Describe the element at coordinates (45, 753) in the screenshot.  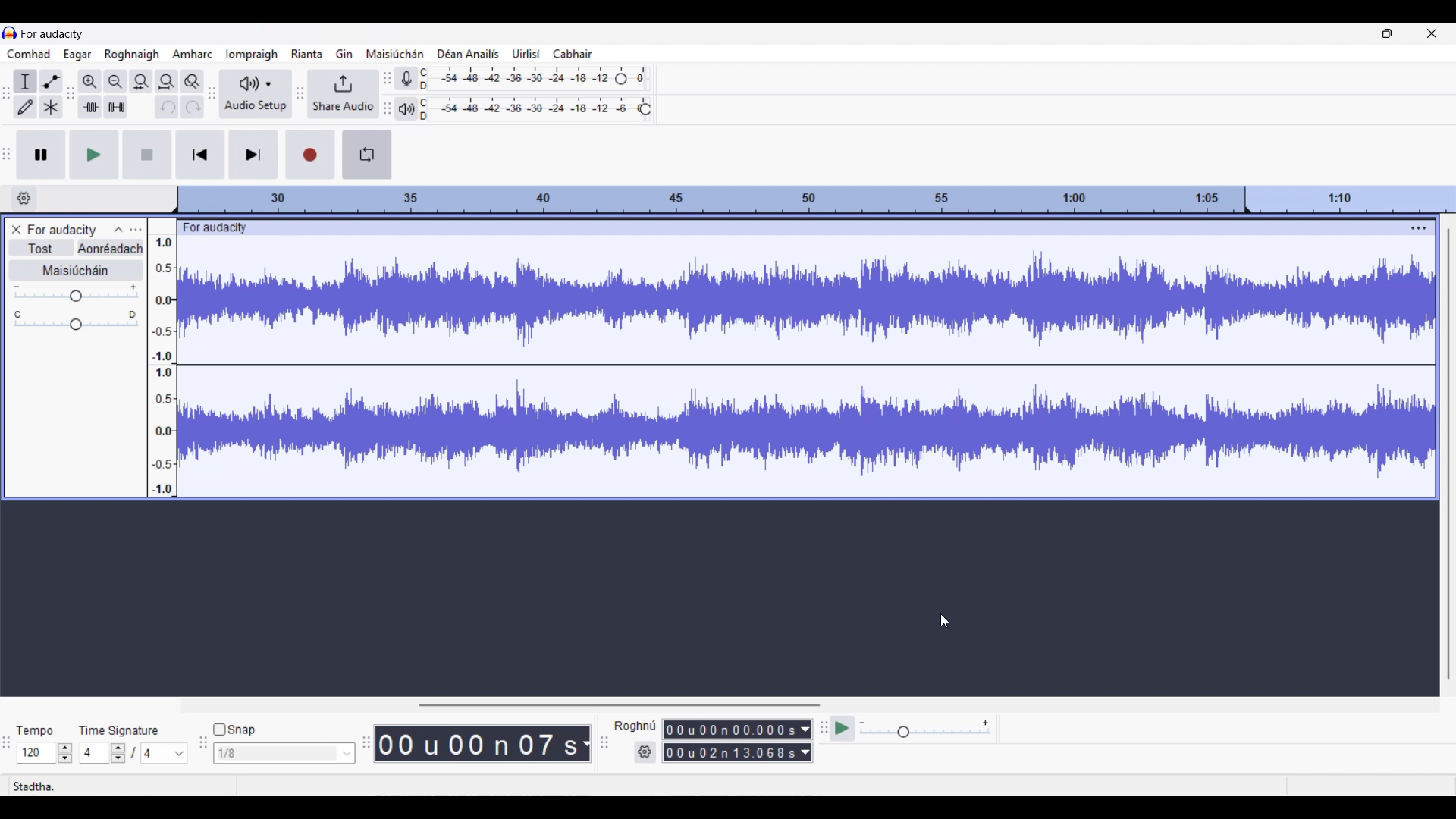
I see `120` at that location.